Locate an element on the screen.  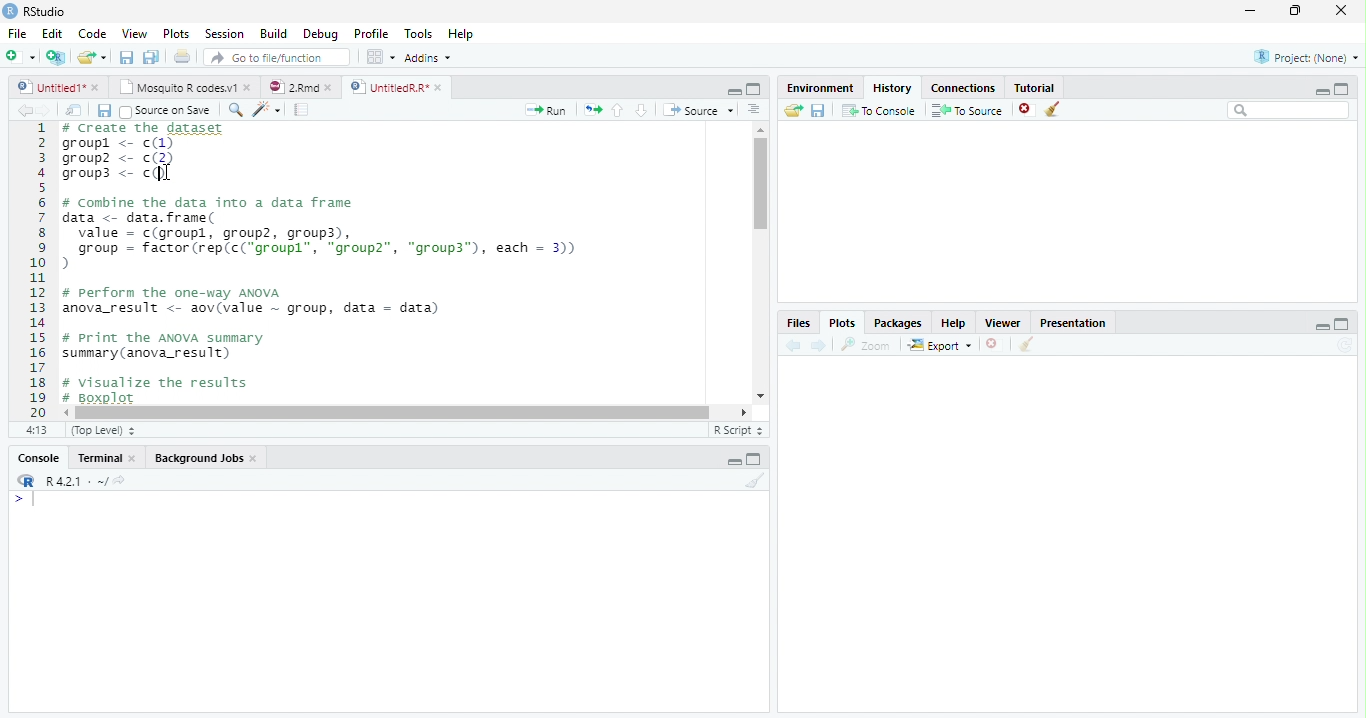
Show in new window is located at coordinates (77, 110).